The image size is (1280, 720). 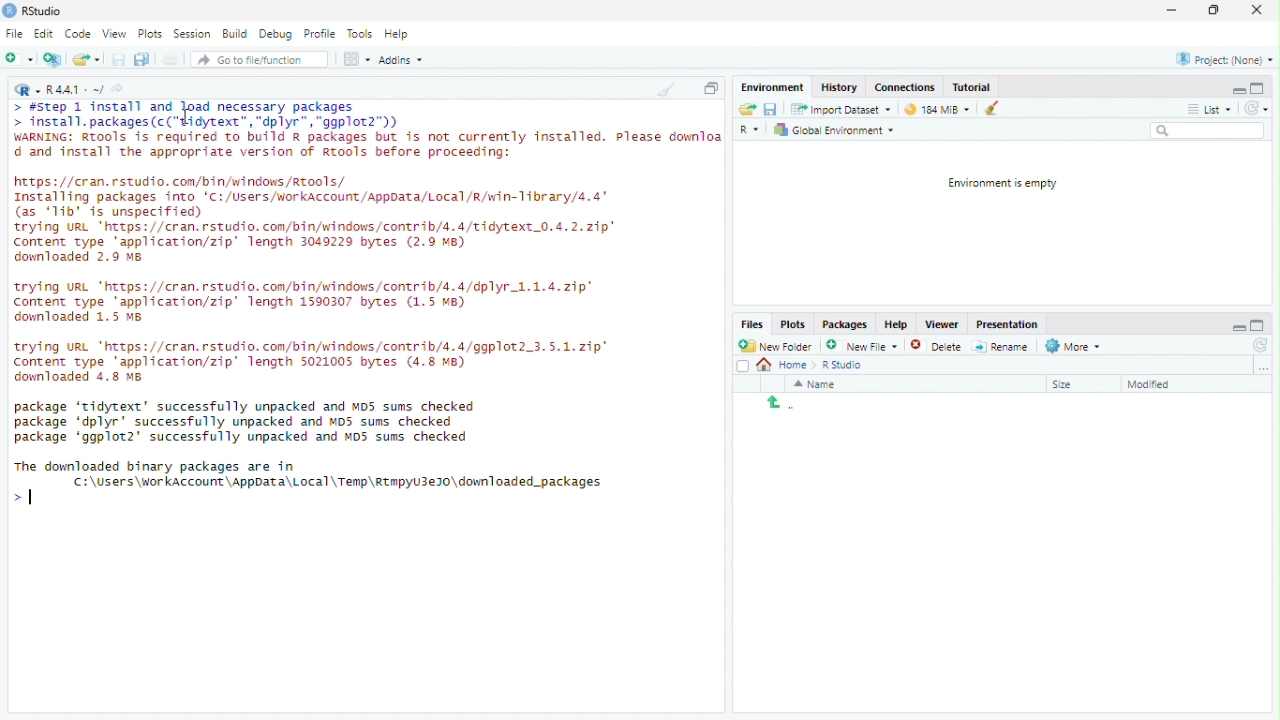 I want to click on Connections, so click(x=905, y=86).